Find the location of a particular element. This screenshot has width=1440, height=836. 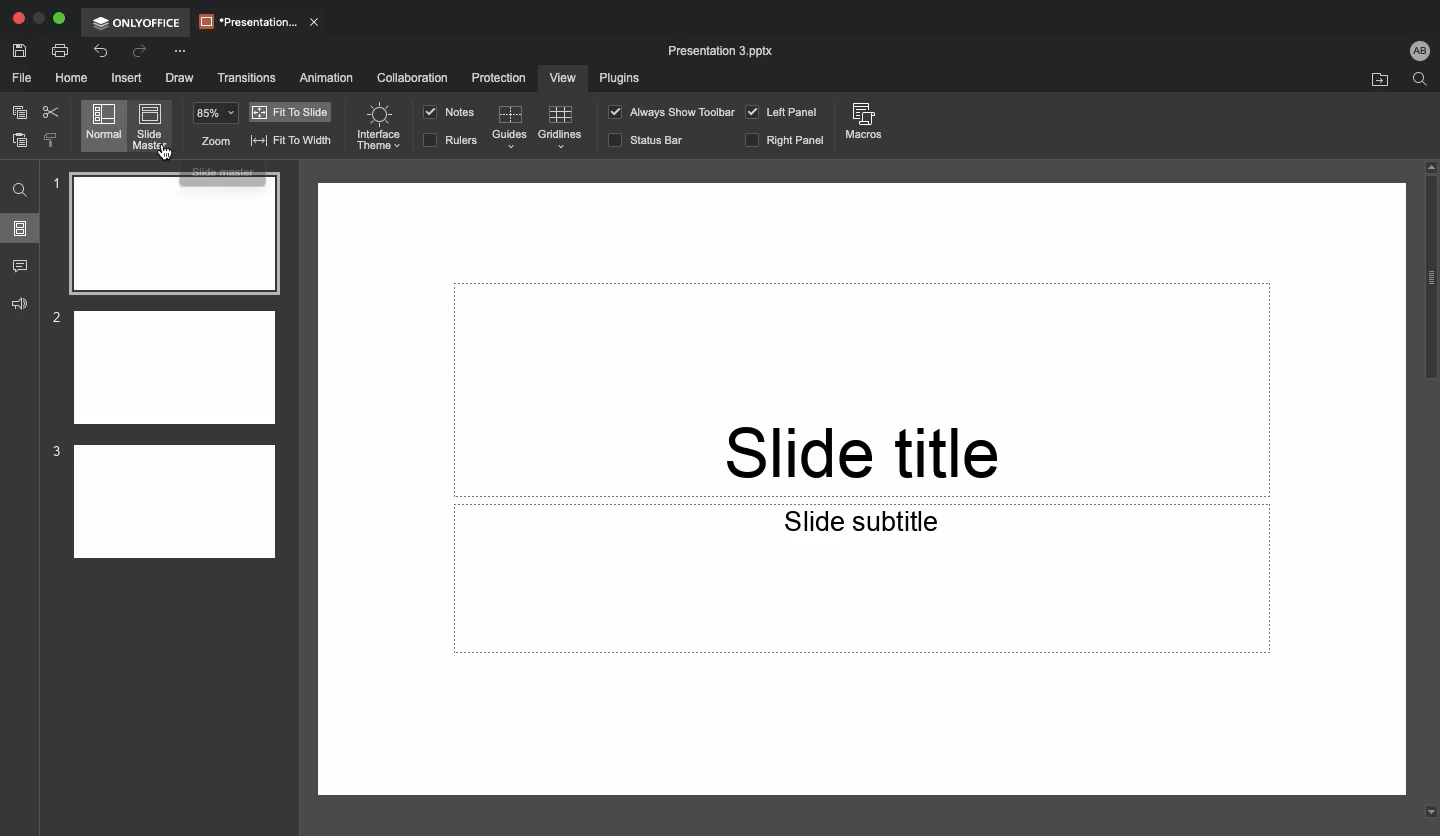

Macros is located at coordinates (864, 122).